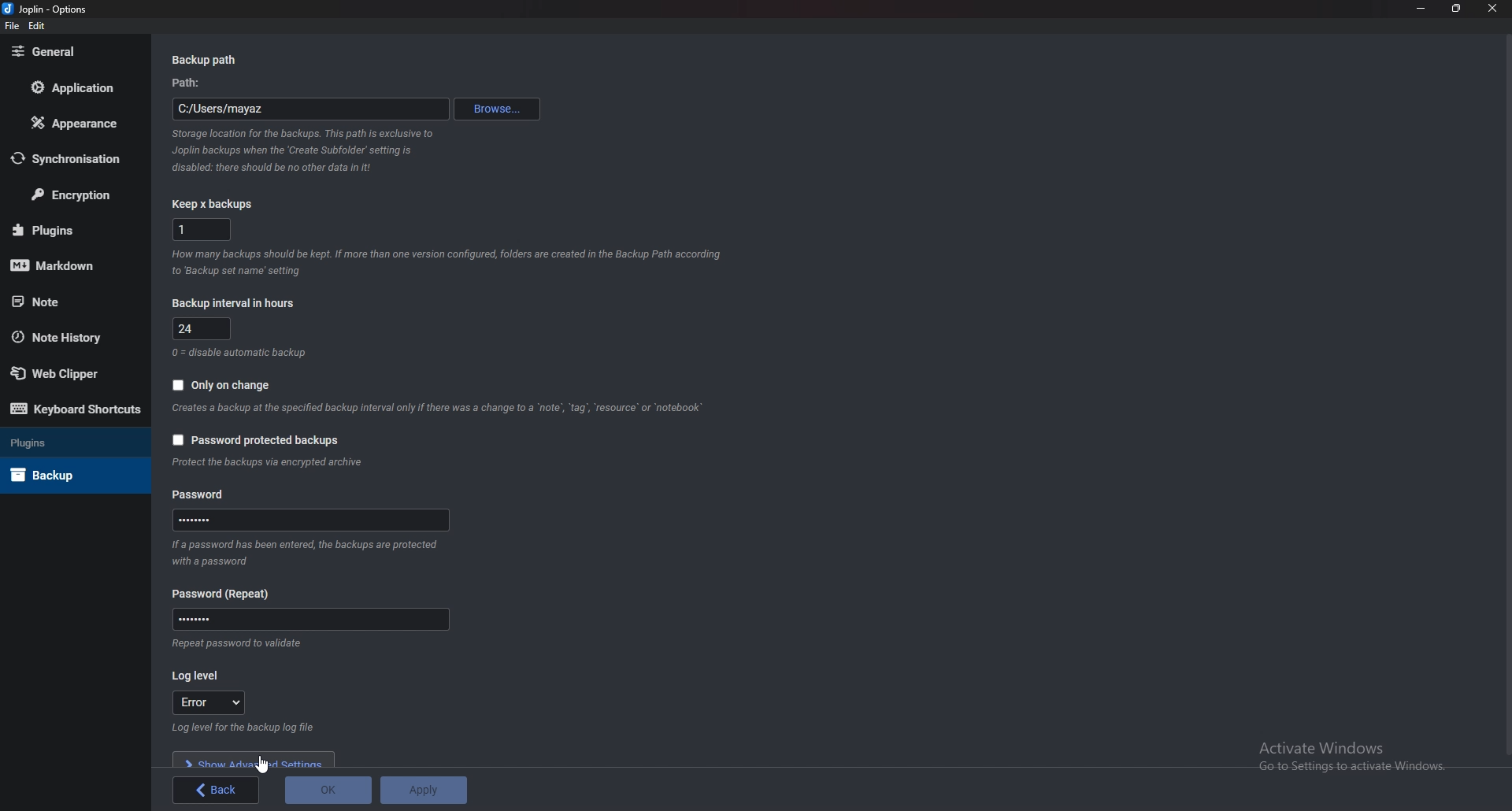  I want to click on Web Clipper, so click(61, 374).